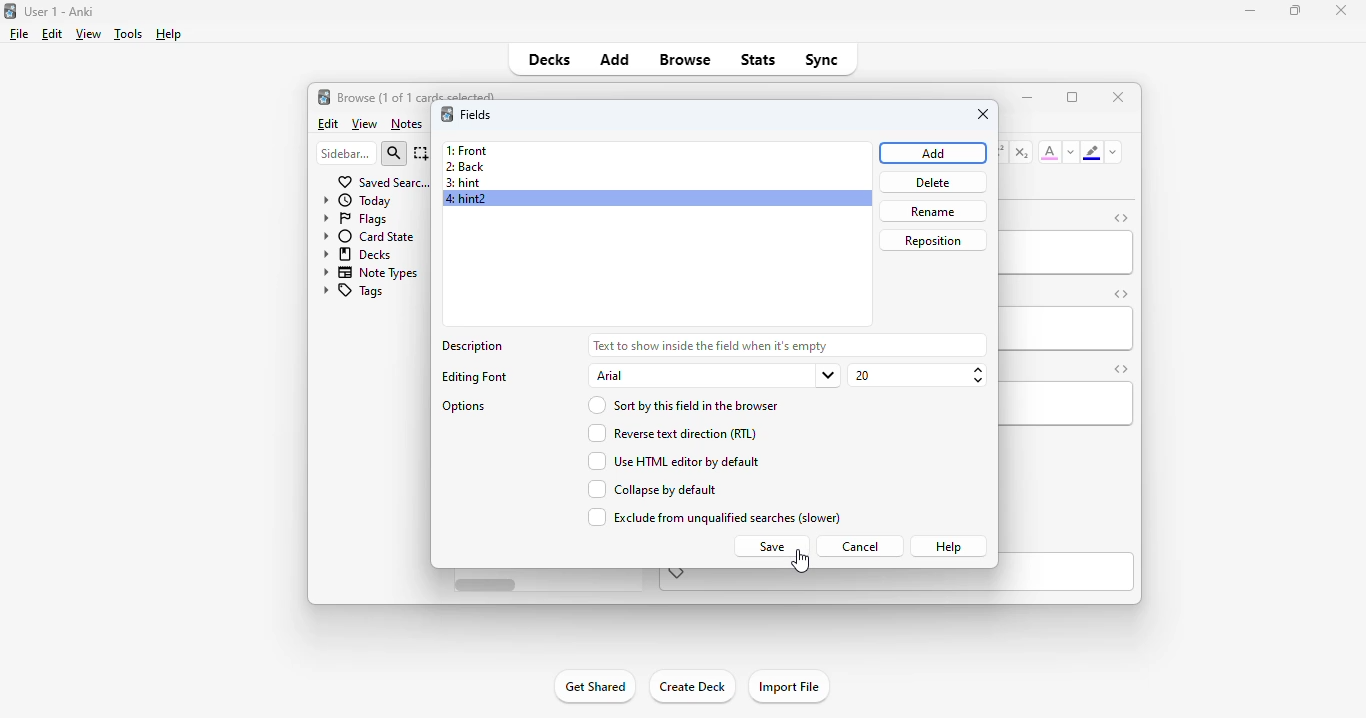  I want to click on help, so click(948, 546).